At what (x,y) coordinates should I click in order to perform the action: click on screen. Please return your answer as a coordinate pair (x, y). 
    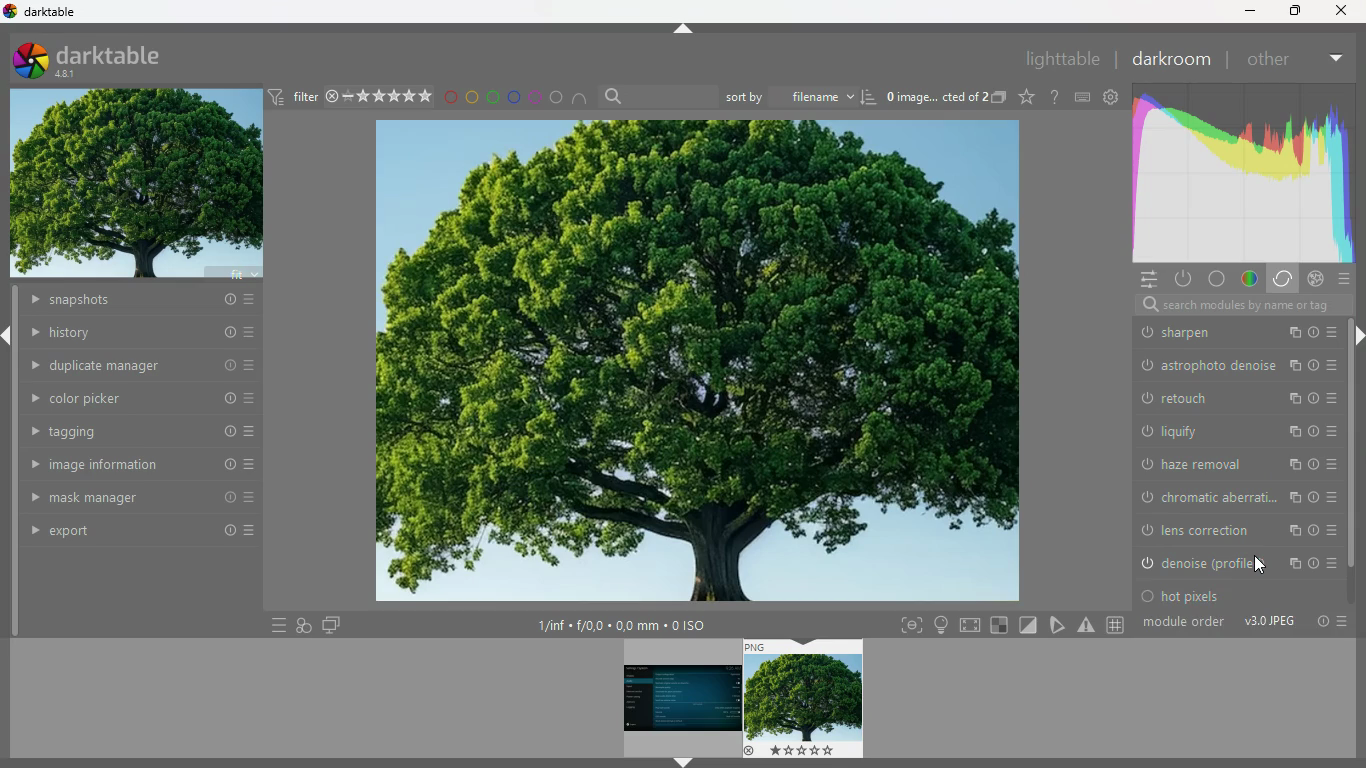
    Looking at the image, I should click on (332, 626).